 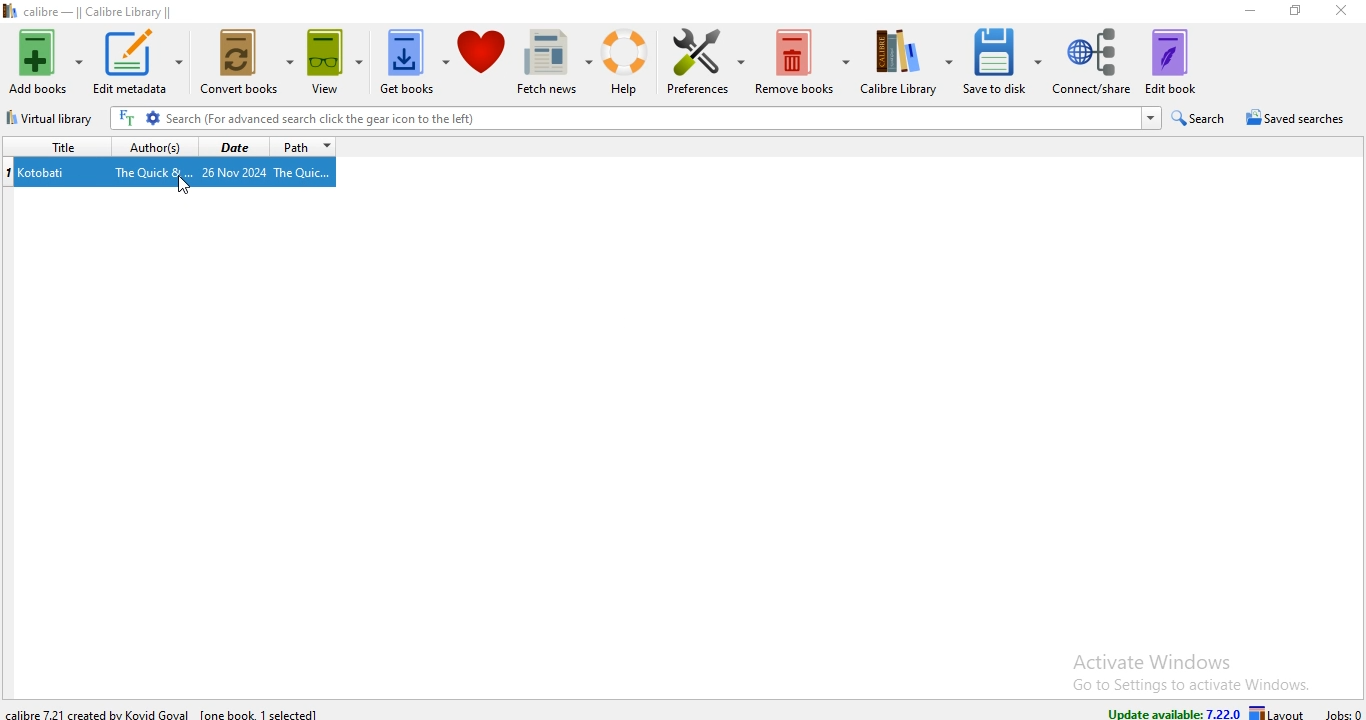 I want to click on edit book, so click(x=1171, y=61).